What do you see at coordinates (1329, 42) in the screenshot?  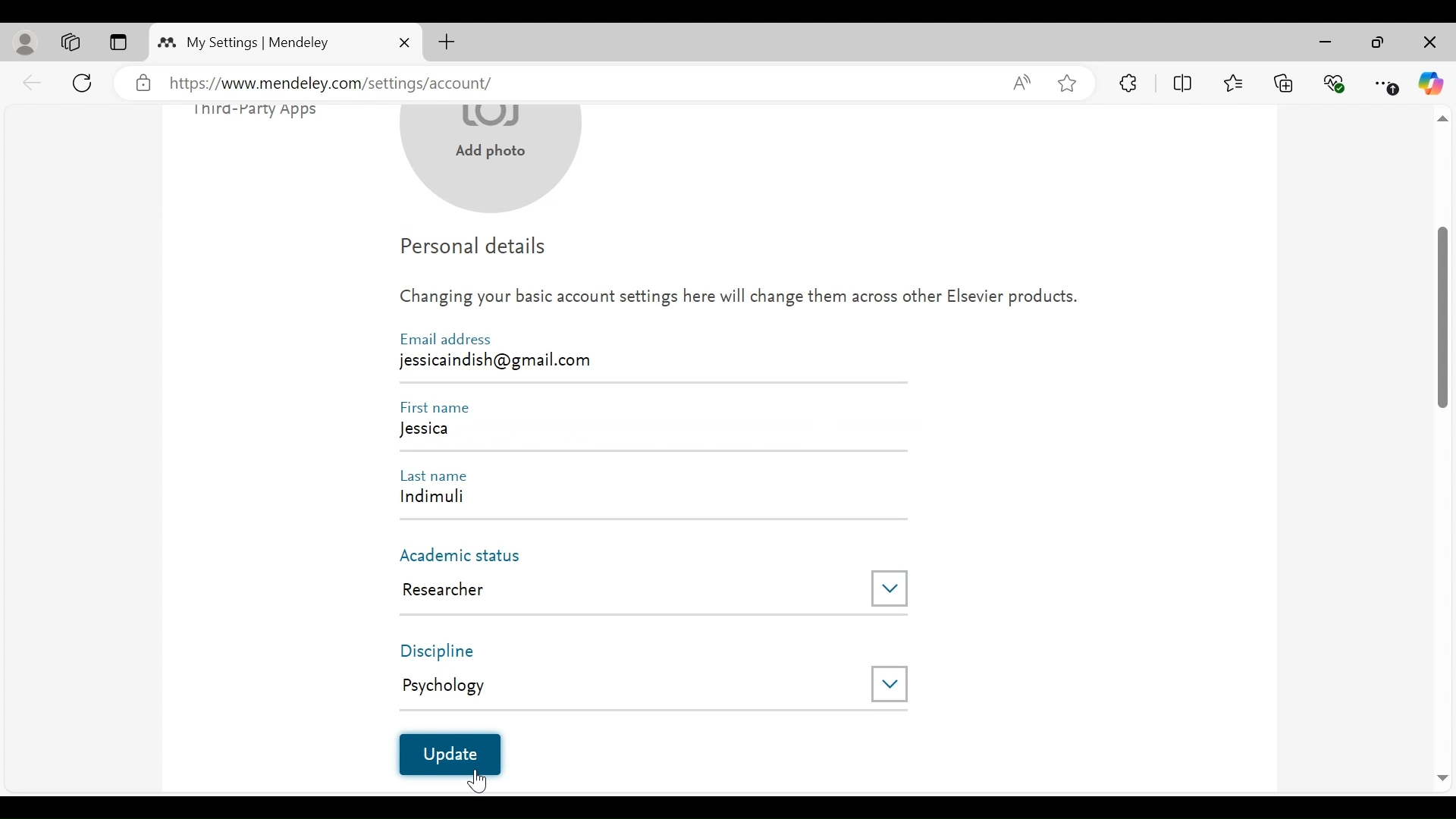 I see `minimize` at bounding box center [1329, 42].